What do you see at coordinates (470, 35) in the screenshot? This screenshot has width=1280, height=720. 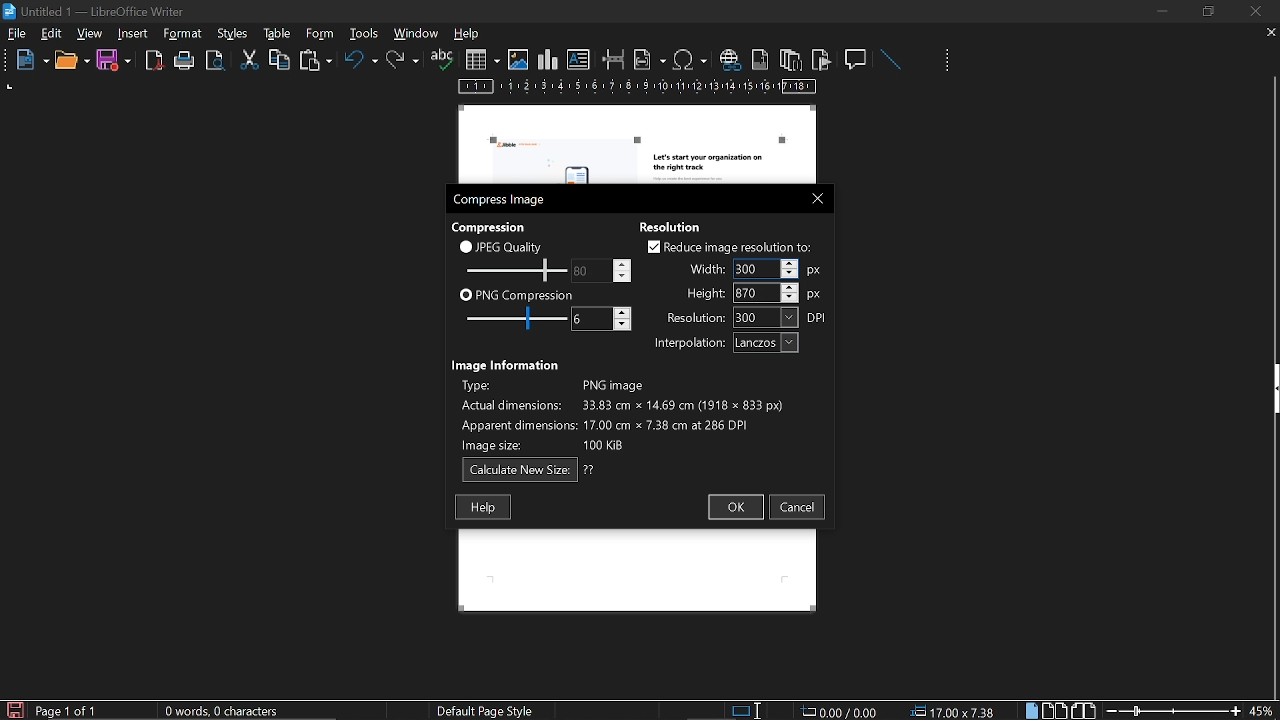 I see `help` at bounding box center [470, 35].